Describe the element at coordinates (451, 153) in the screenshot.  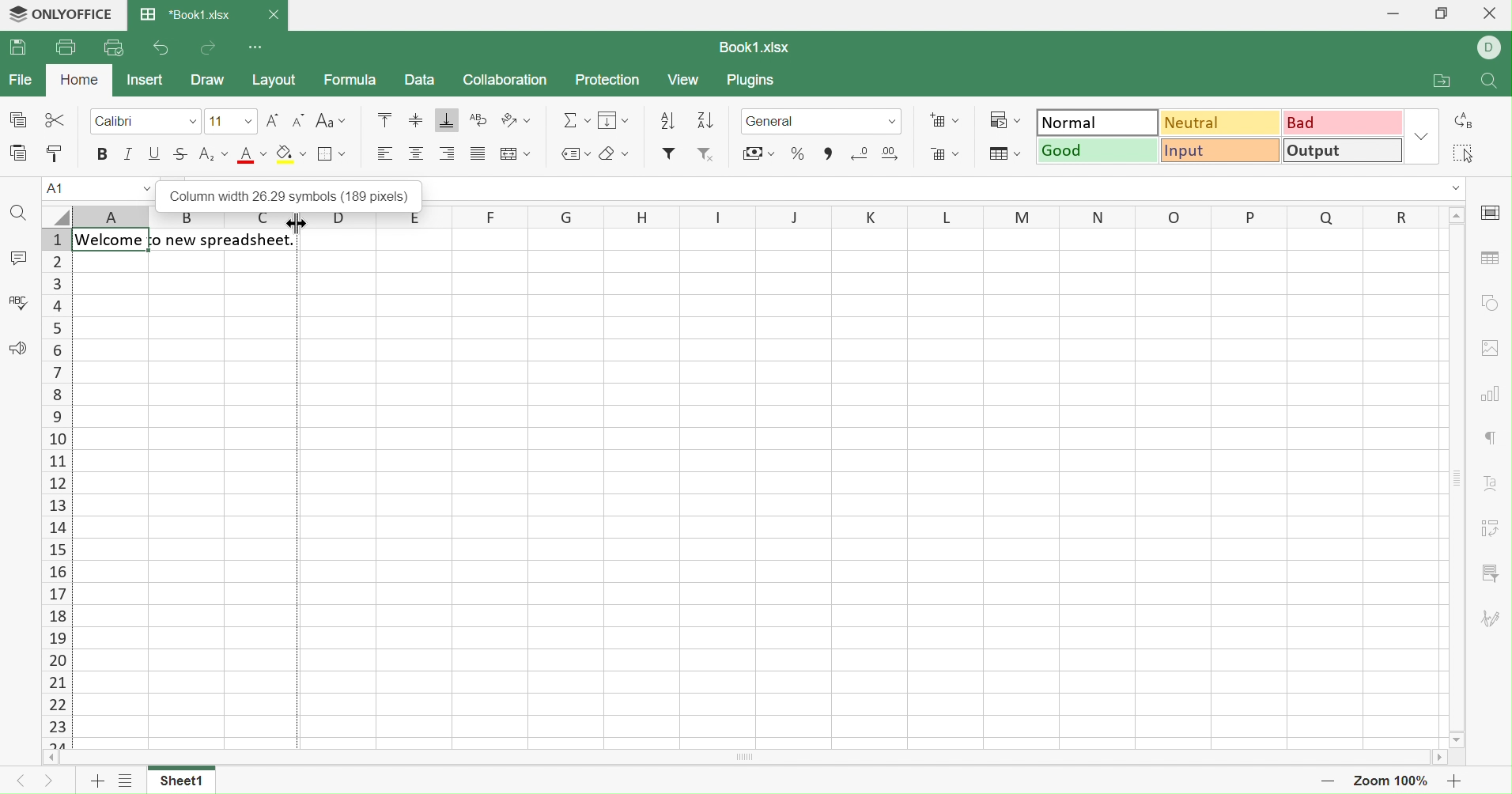
I see `Align Right` at that location.